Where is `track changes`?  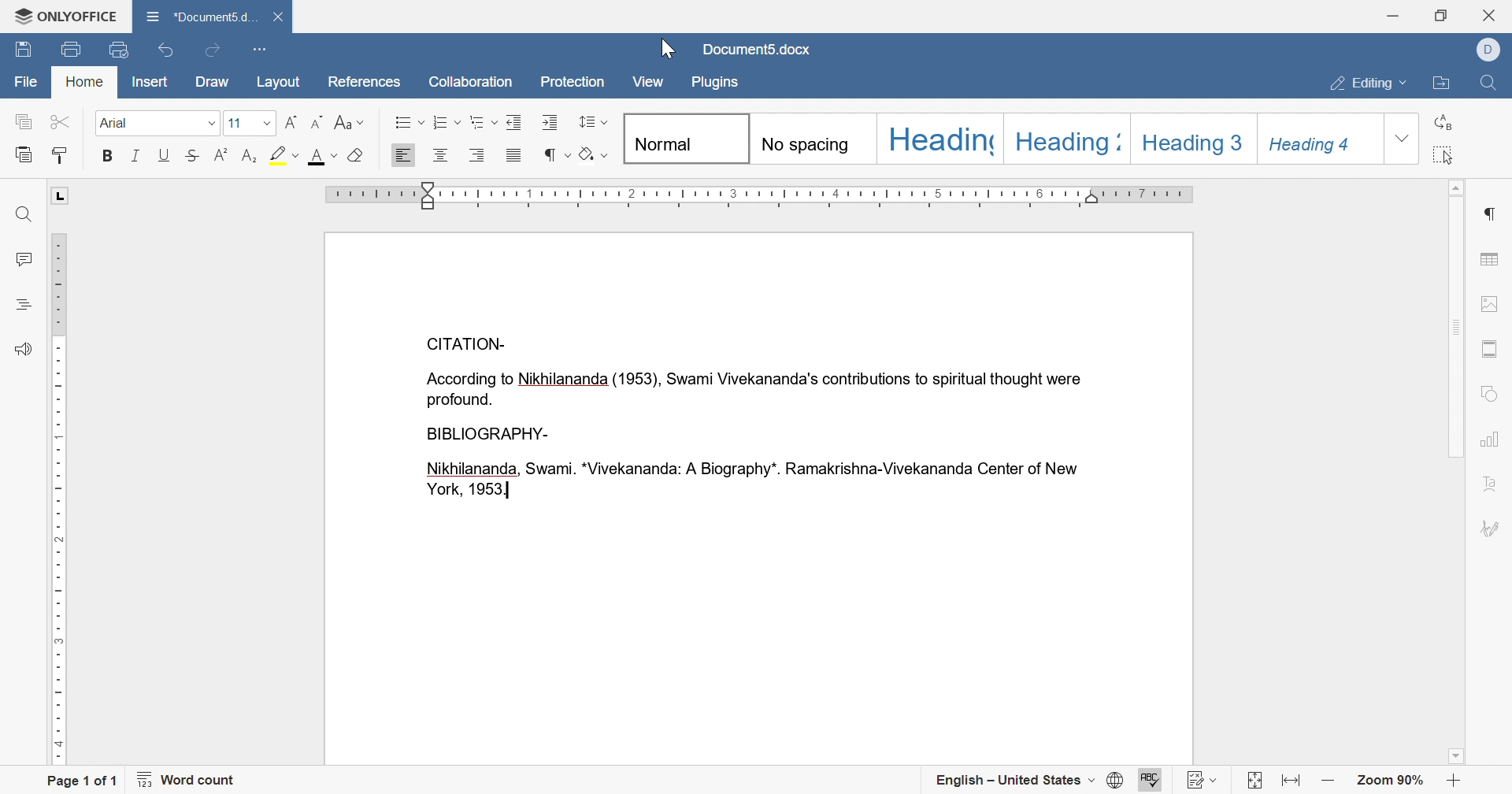
track changes is located at coordinates (1203, 777).